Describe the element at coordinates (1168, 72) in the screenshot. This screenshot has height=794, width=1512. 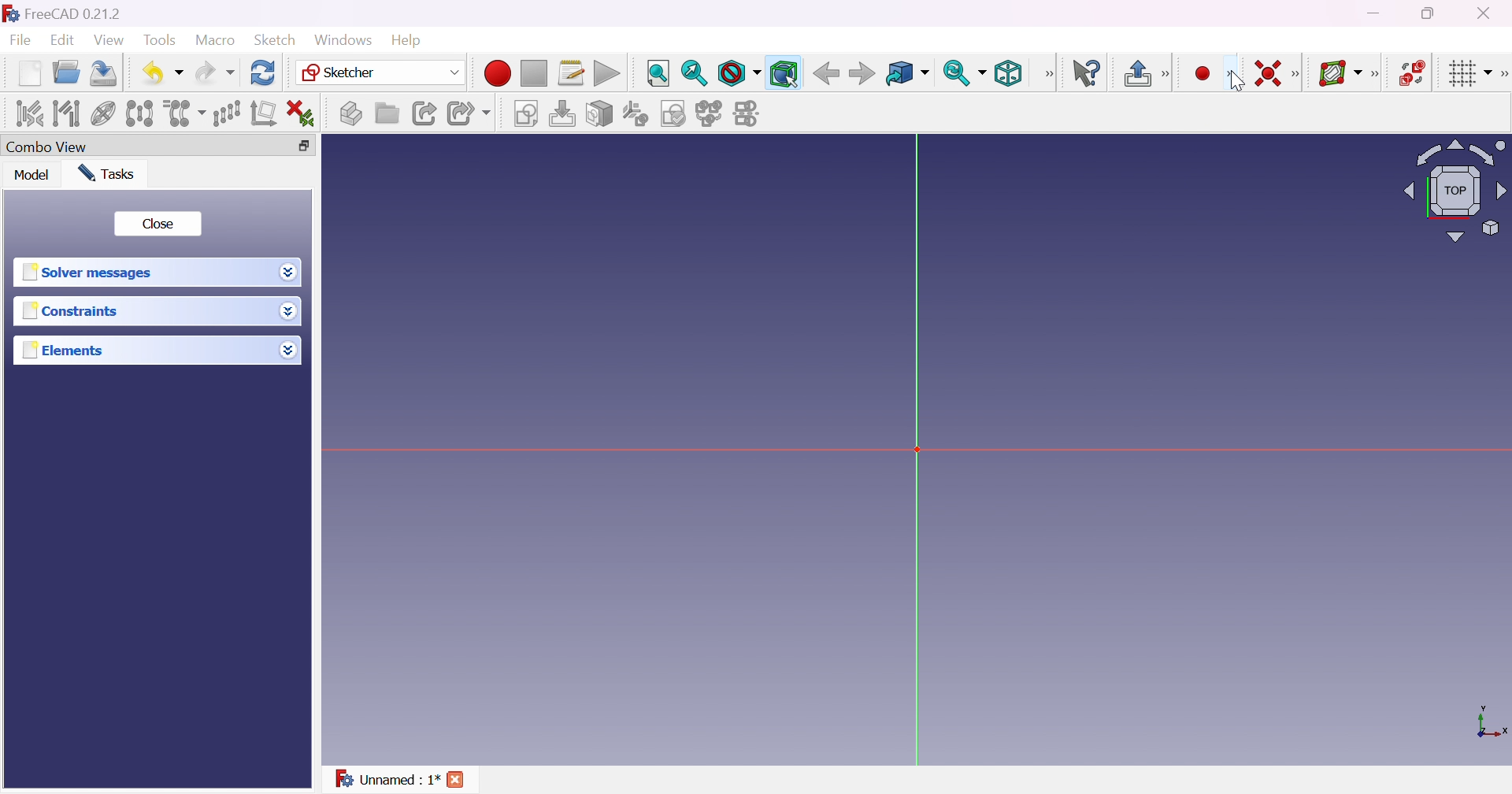
I see `[Sketcher edit mode]` at that location.